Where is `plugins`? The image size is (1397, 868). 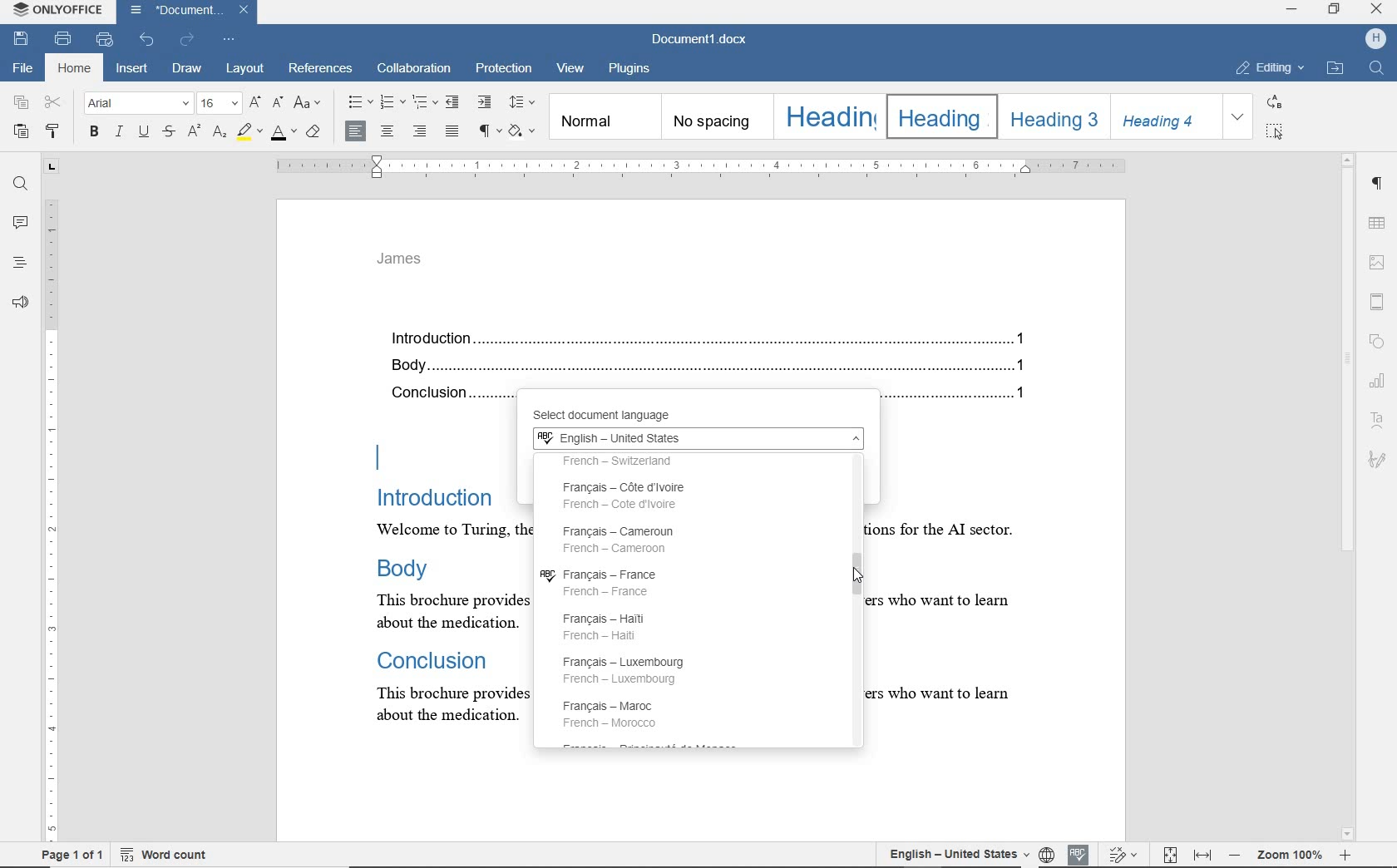 plugins is located at coordinates (629, 69).